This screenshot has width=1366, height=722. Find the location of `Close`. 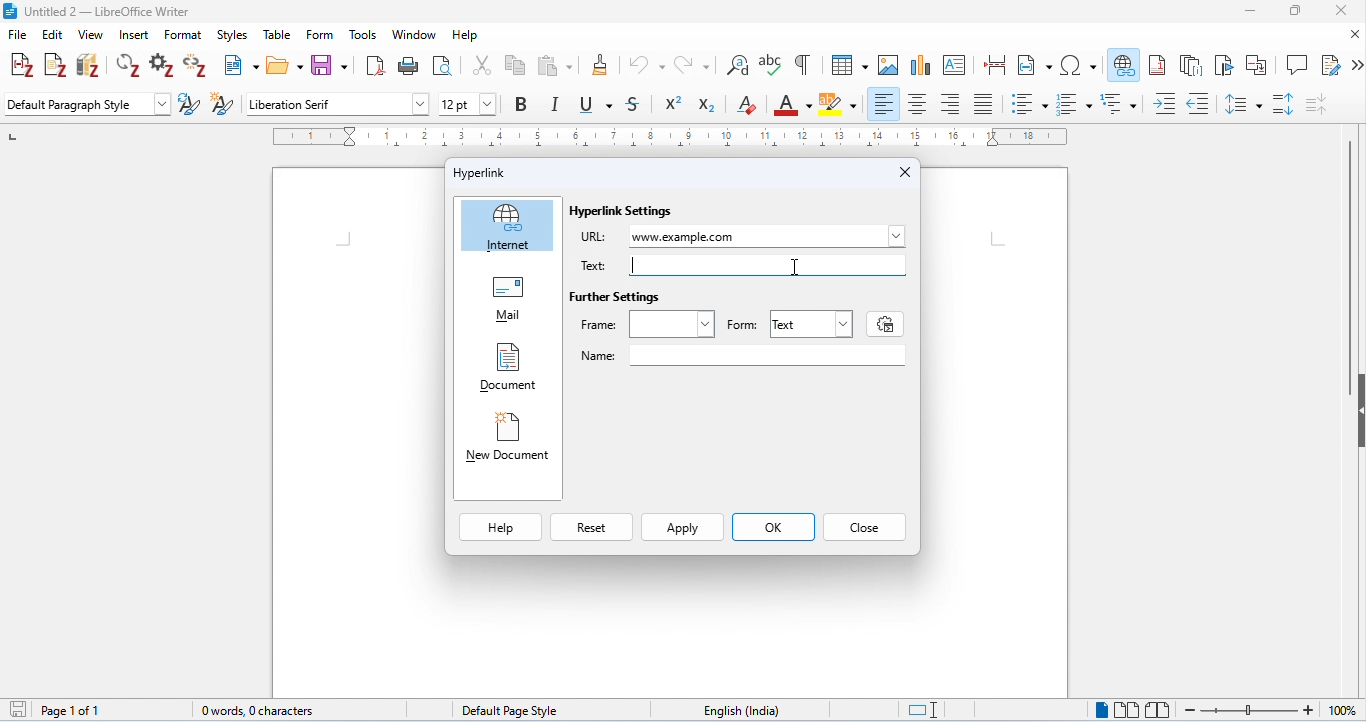

Close is located at coordinates (906, 171).